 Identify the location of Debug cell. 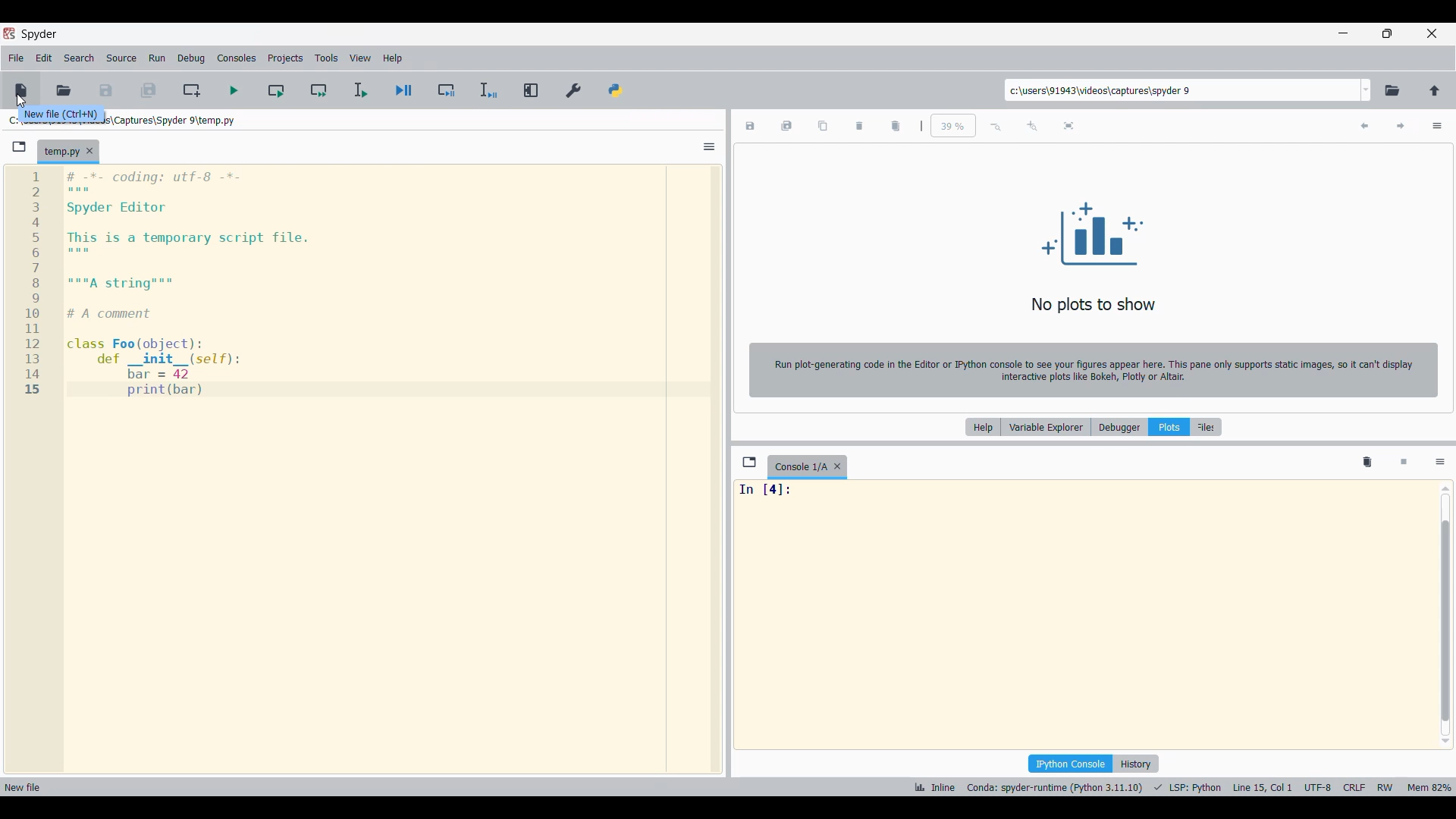
(448, 90).